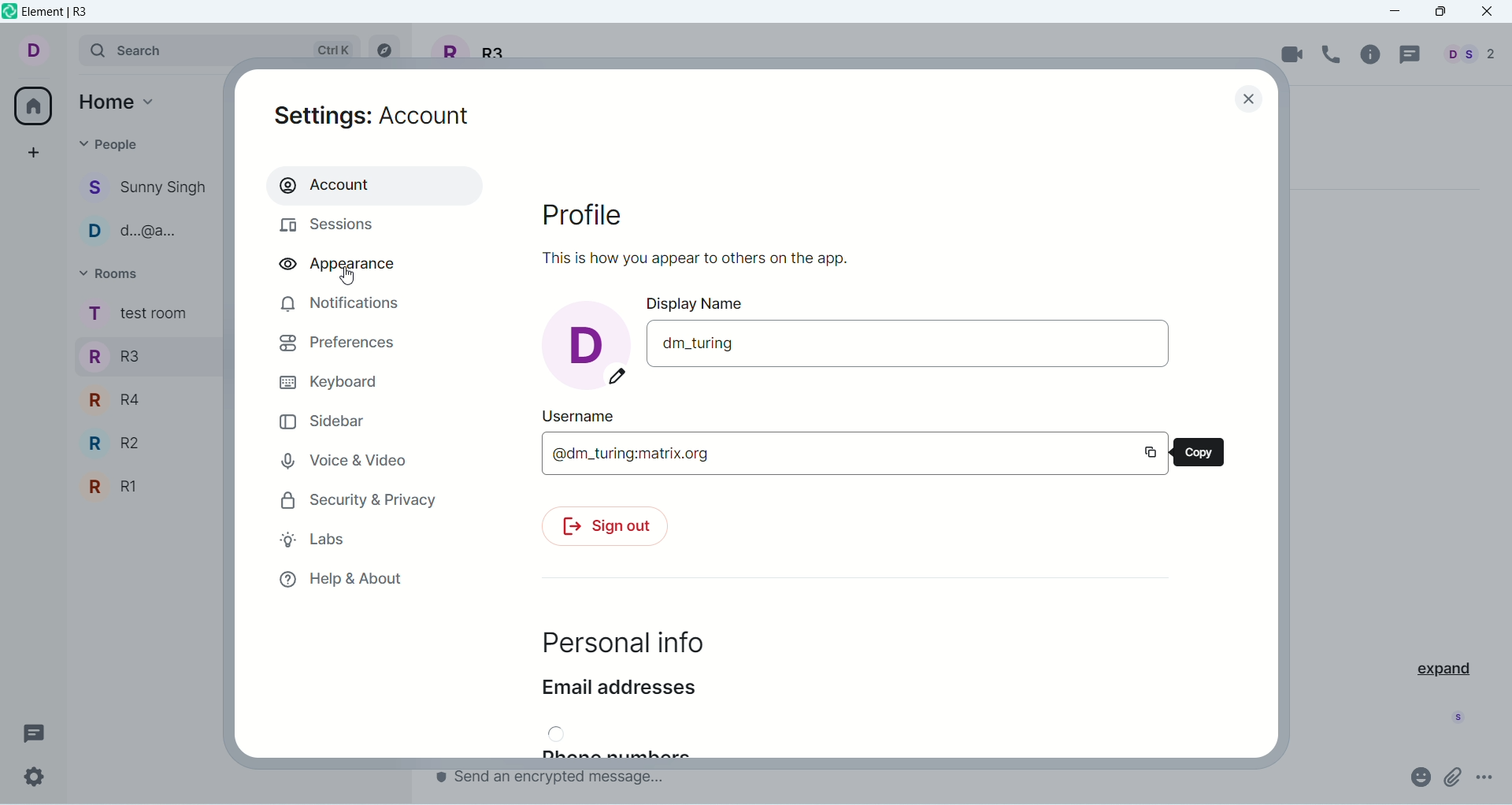  What do you see at coordinates (1483, 775) in the screenshot?
I see `options` at bounding box center [1483, 775].